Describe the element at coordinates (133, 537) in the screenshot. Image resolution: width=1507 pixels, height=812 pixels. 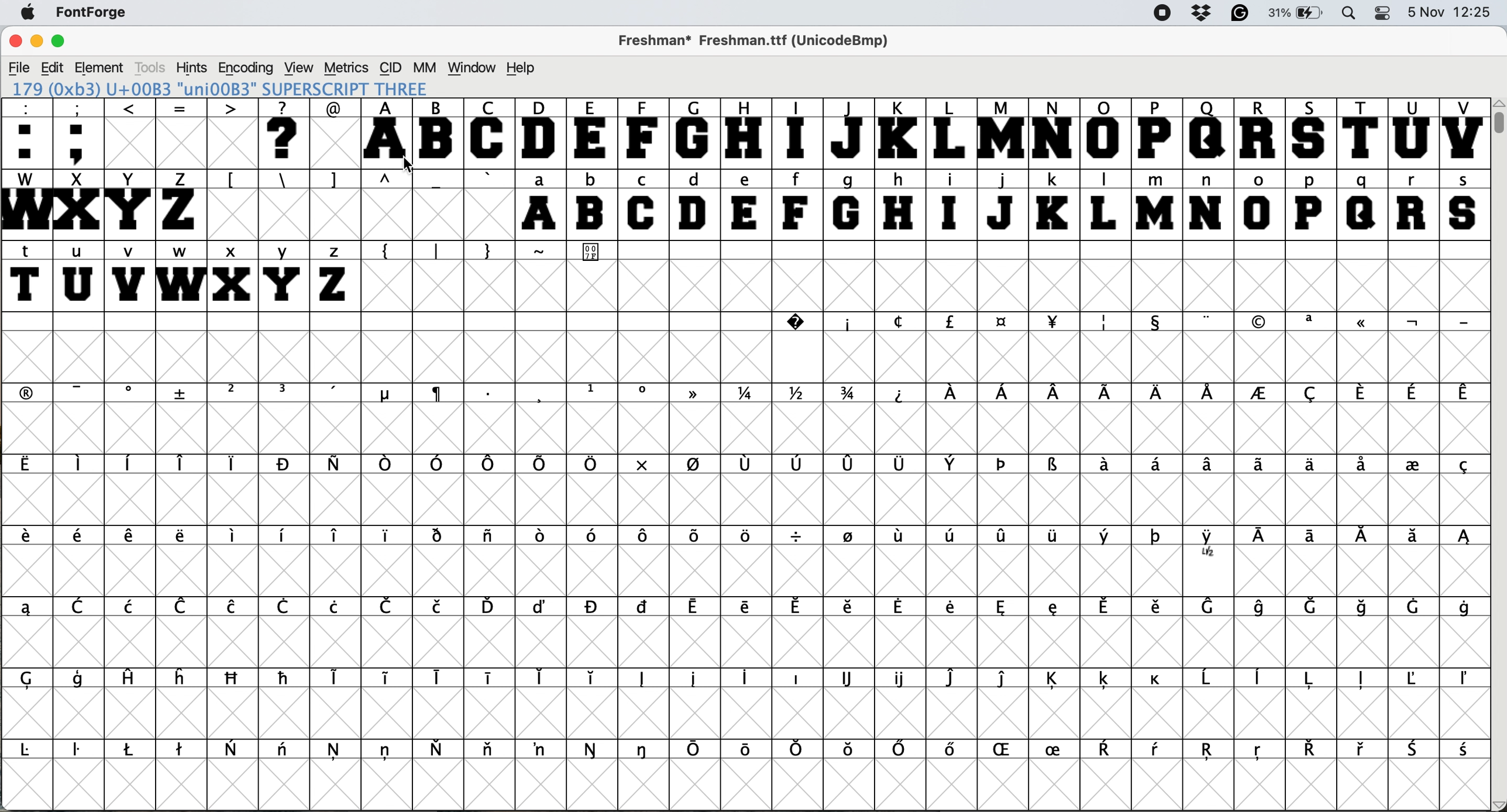
I see `symbol` at that location.